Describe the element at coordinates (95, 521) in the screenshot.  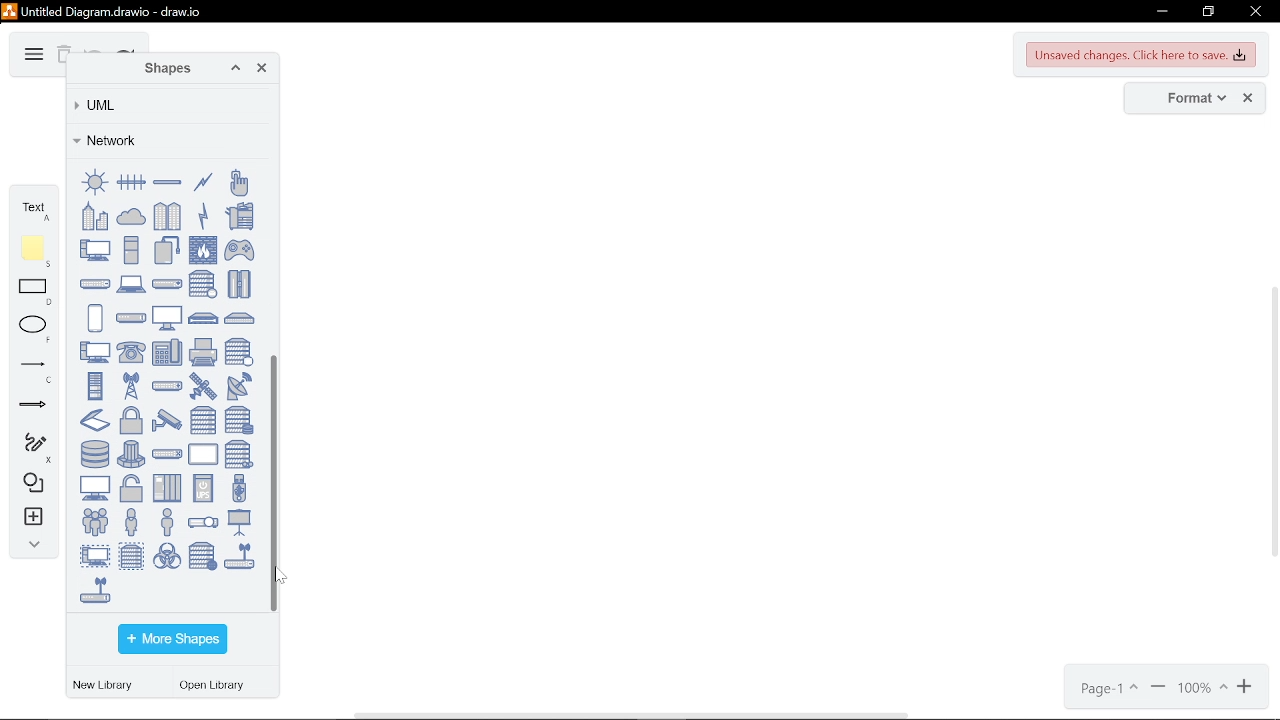
I see `users` at that location.